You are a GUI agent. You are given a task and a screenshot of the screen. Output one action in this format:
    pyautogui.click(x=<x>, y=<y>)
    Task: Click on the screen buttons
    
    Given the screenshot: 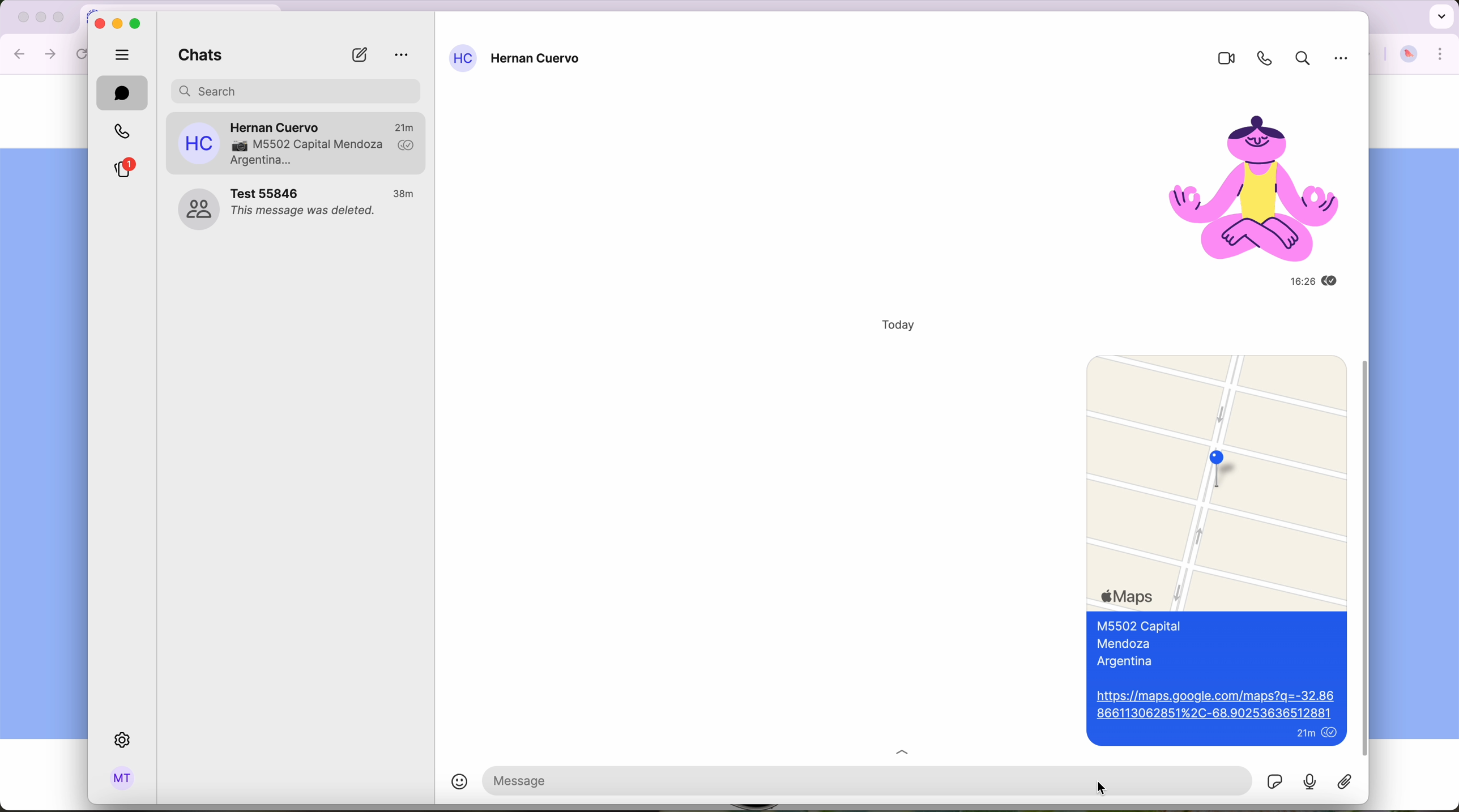 What is the action you would take?
    pyautogui.click(x=118, y=23)
    